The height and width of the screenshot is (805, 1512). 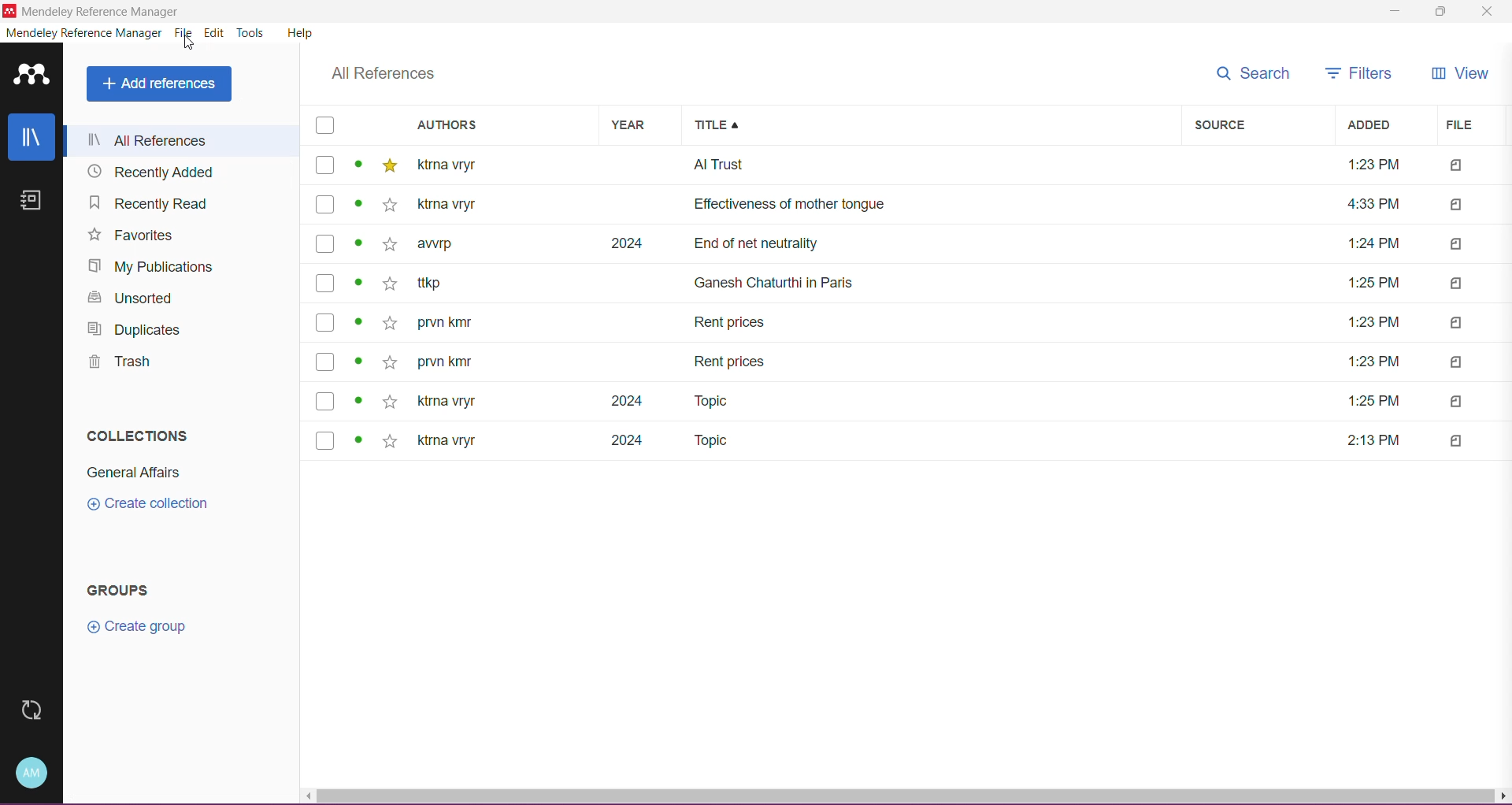 What do you see at coordinates (35, 203) in the screenshot?
I see `Notes` at bounding box center [35, 203].